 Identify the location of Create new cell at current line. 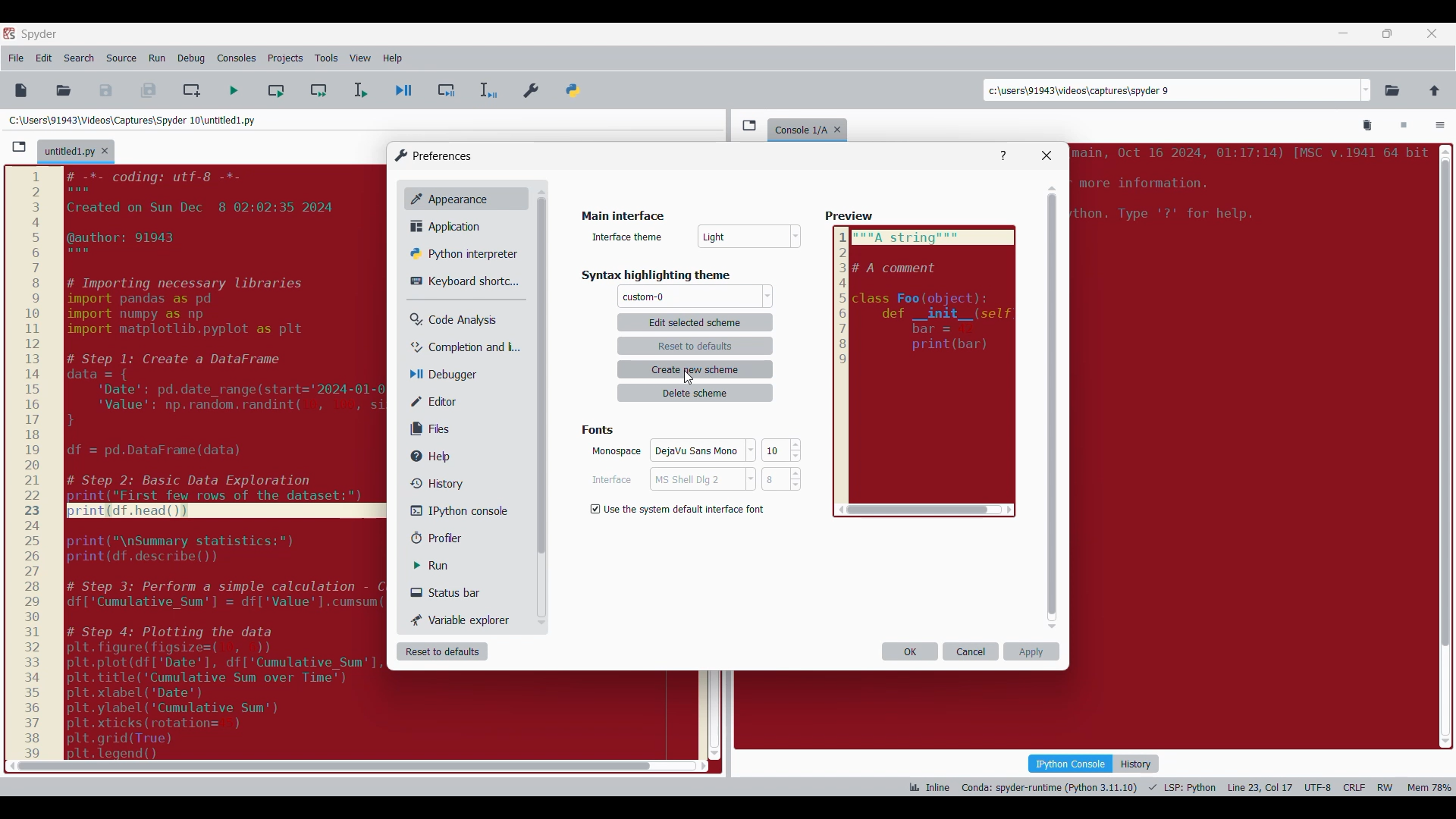
(192, 90).